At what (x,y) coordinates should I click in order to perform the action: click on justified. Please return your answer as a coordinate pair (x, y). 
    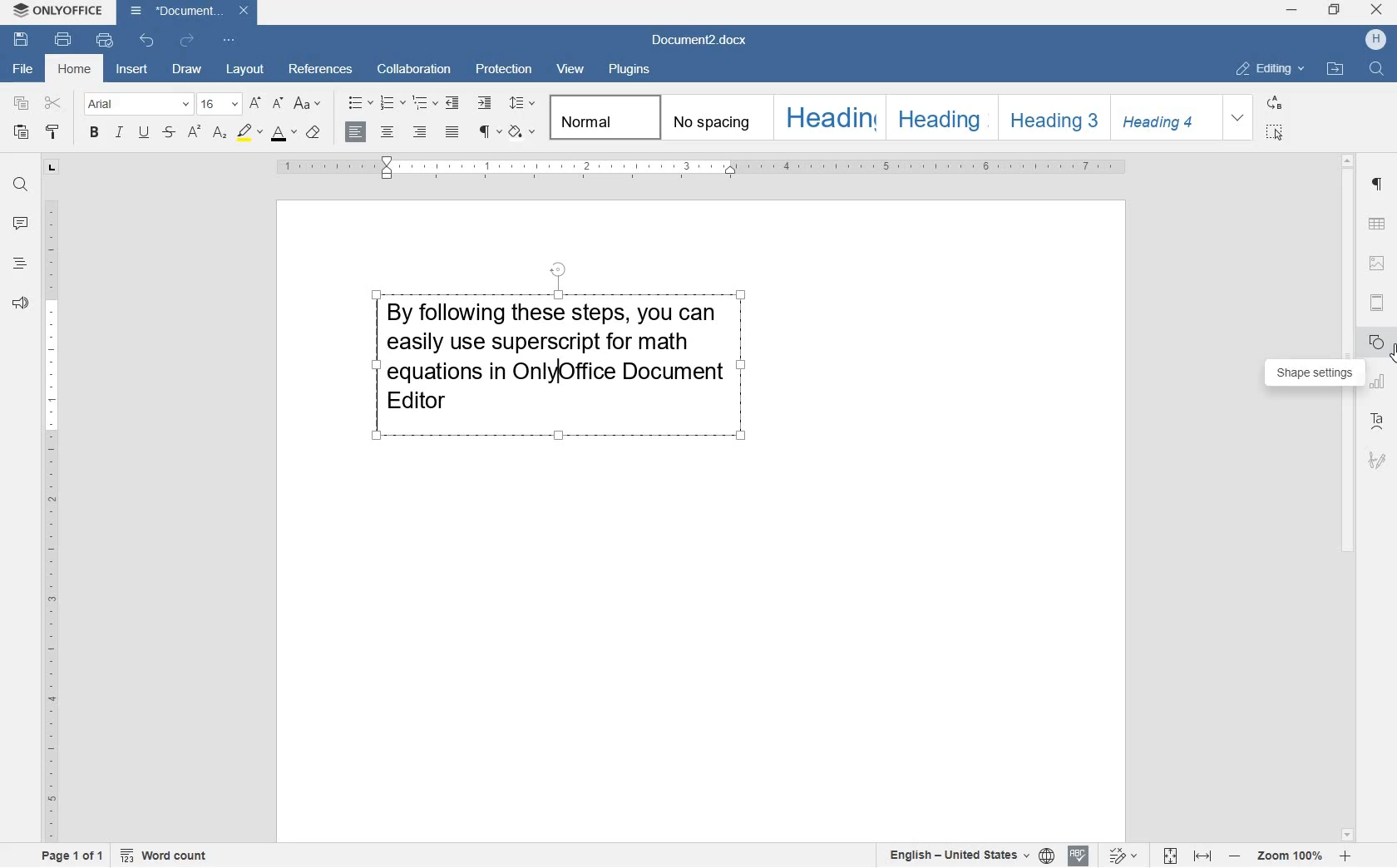
    Looking at the image, I should click on (455, 131).